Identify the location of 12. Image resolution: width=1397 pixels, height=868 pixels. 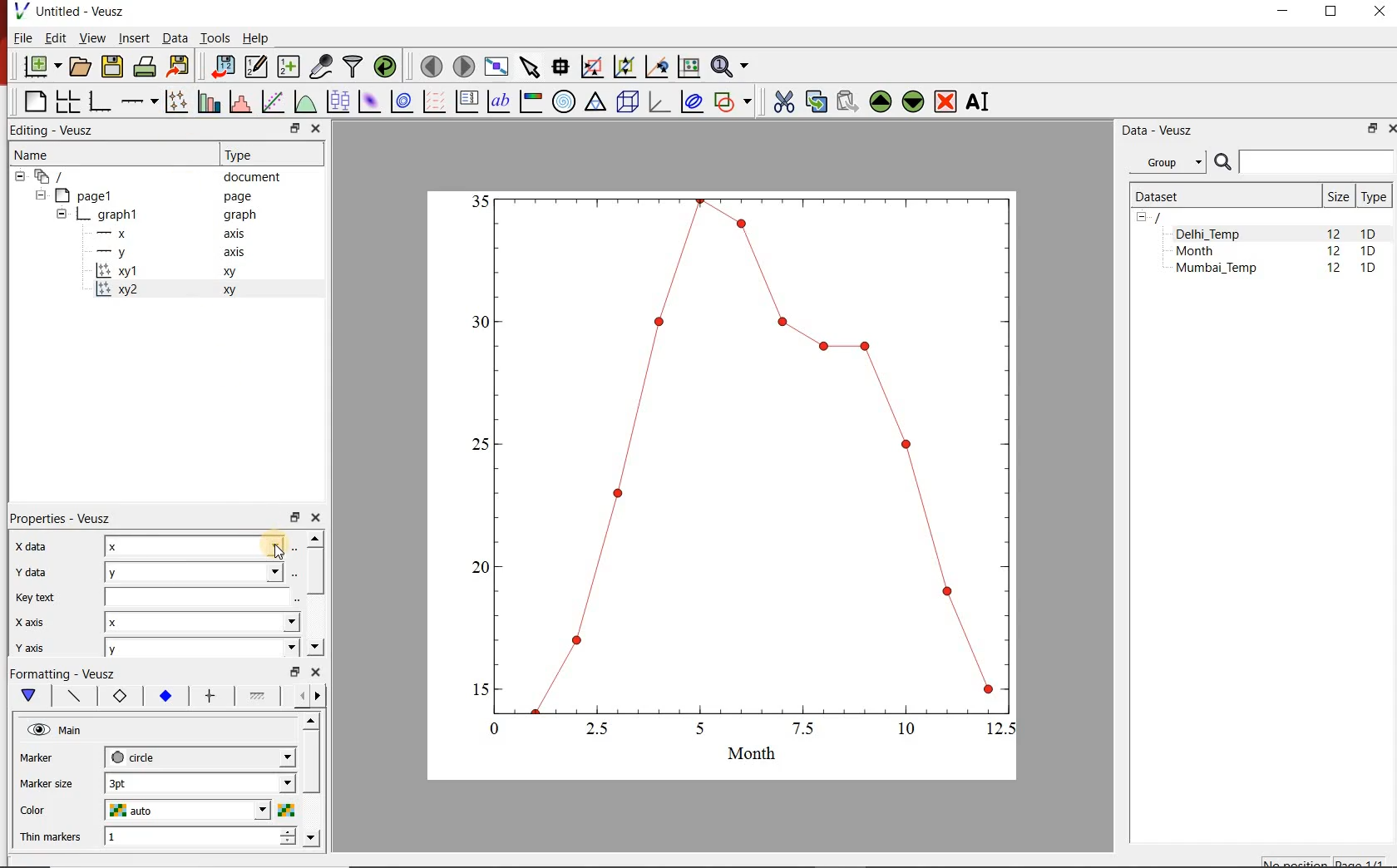
(1335, 270).